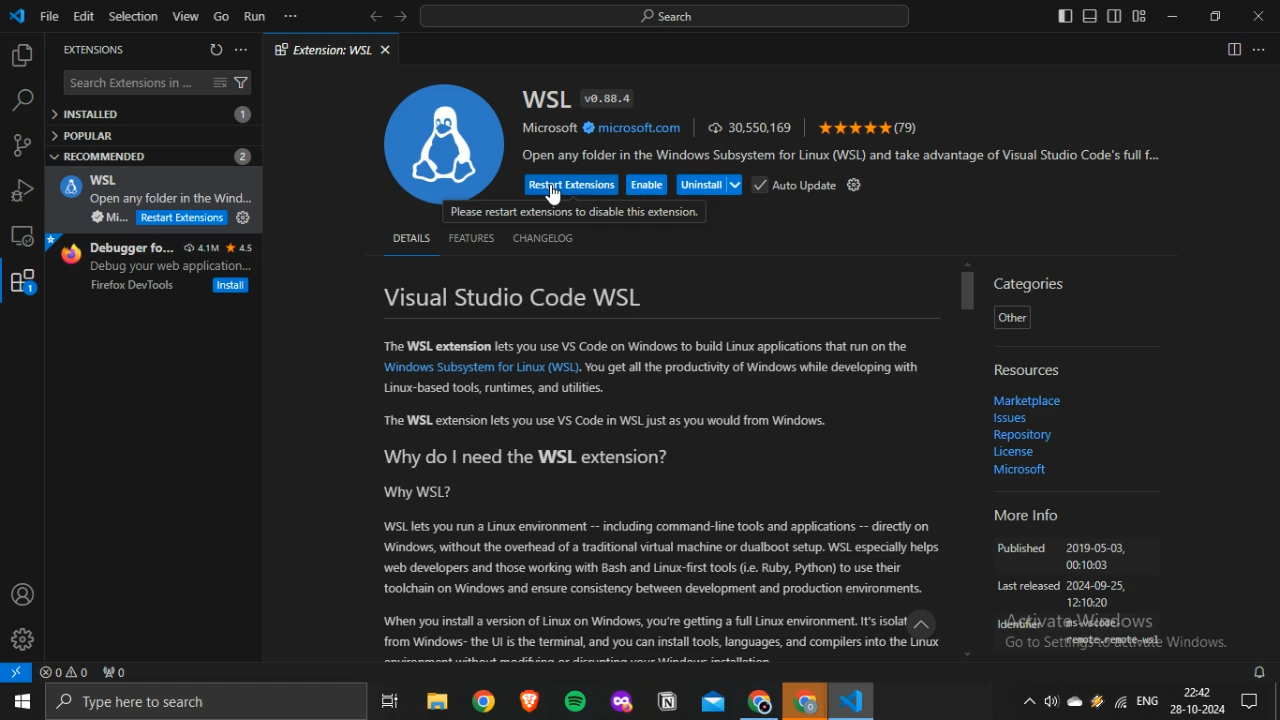 This screenshot has width=1280, height=720. Describe the element at coordinates (606, 98) in the screenshot. I see `v0.88.4` at that location.